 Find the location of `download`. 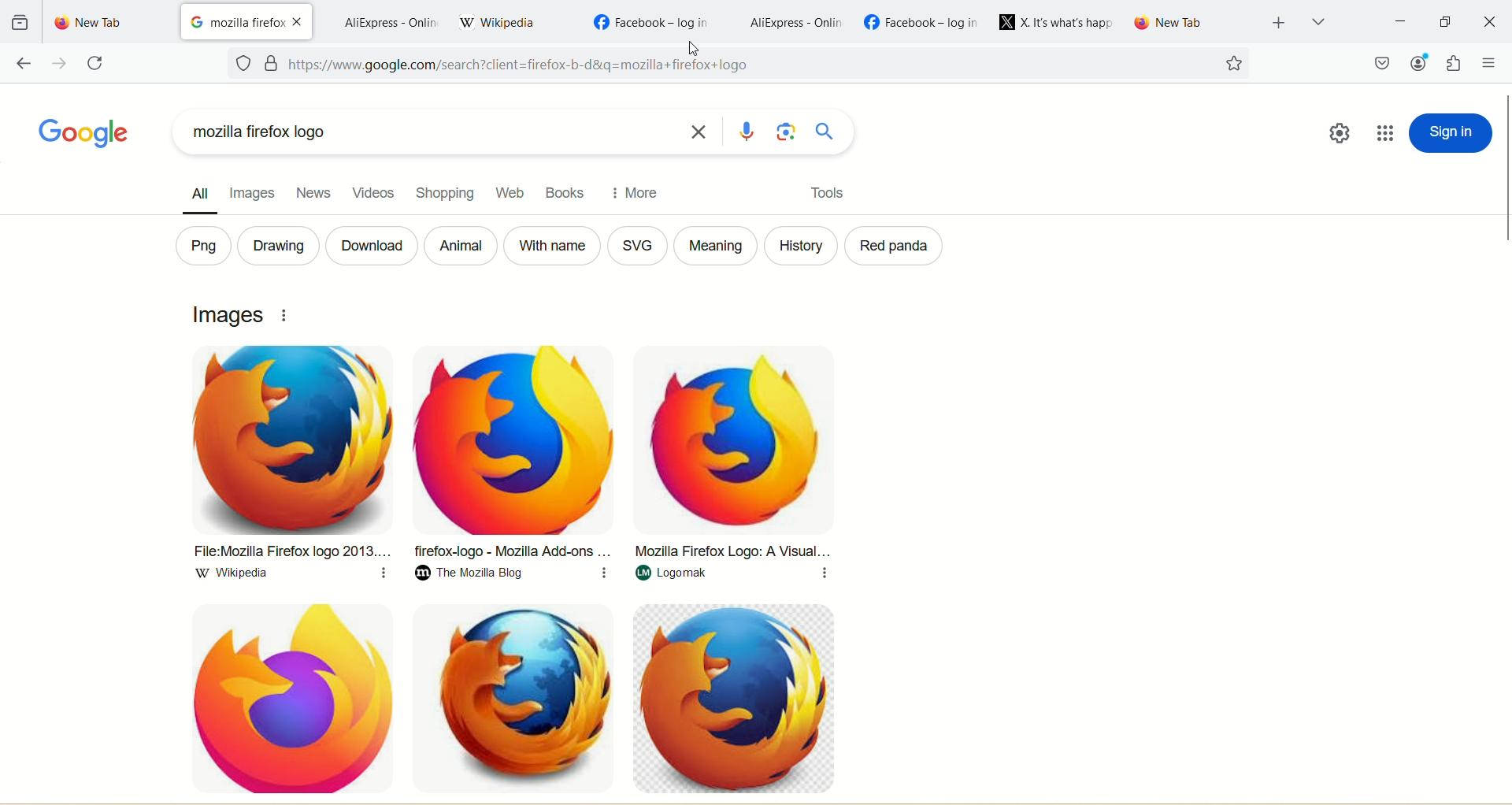

download is located at coordinates (370, 246).